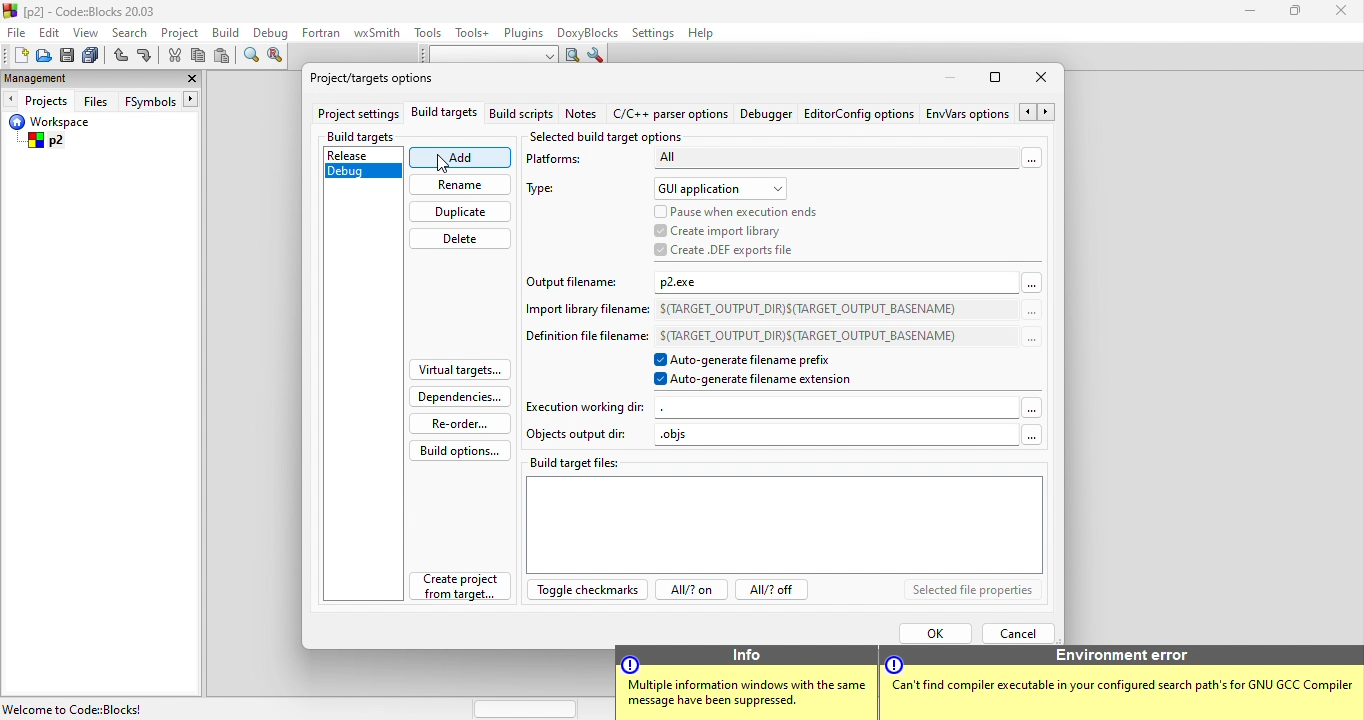 This screenshot has height=720, width=1364. What do you see at coordinates (525, 34) in the screenshot?
I see `plugins` at bounding box center [525, 34].